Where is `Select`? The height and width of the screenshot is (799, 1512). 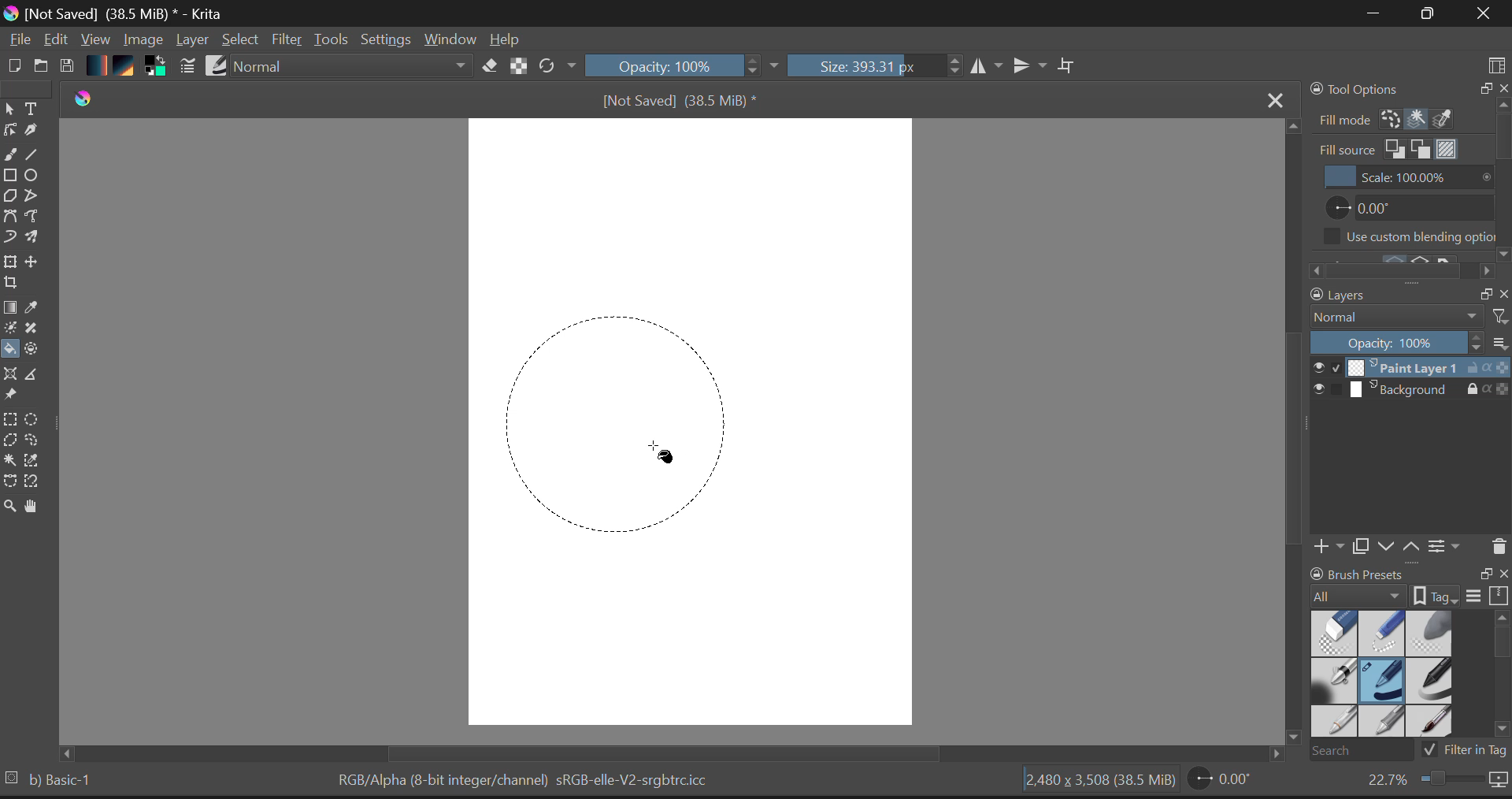
Select is located at coordinates (9, 110).